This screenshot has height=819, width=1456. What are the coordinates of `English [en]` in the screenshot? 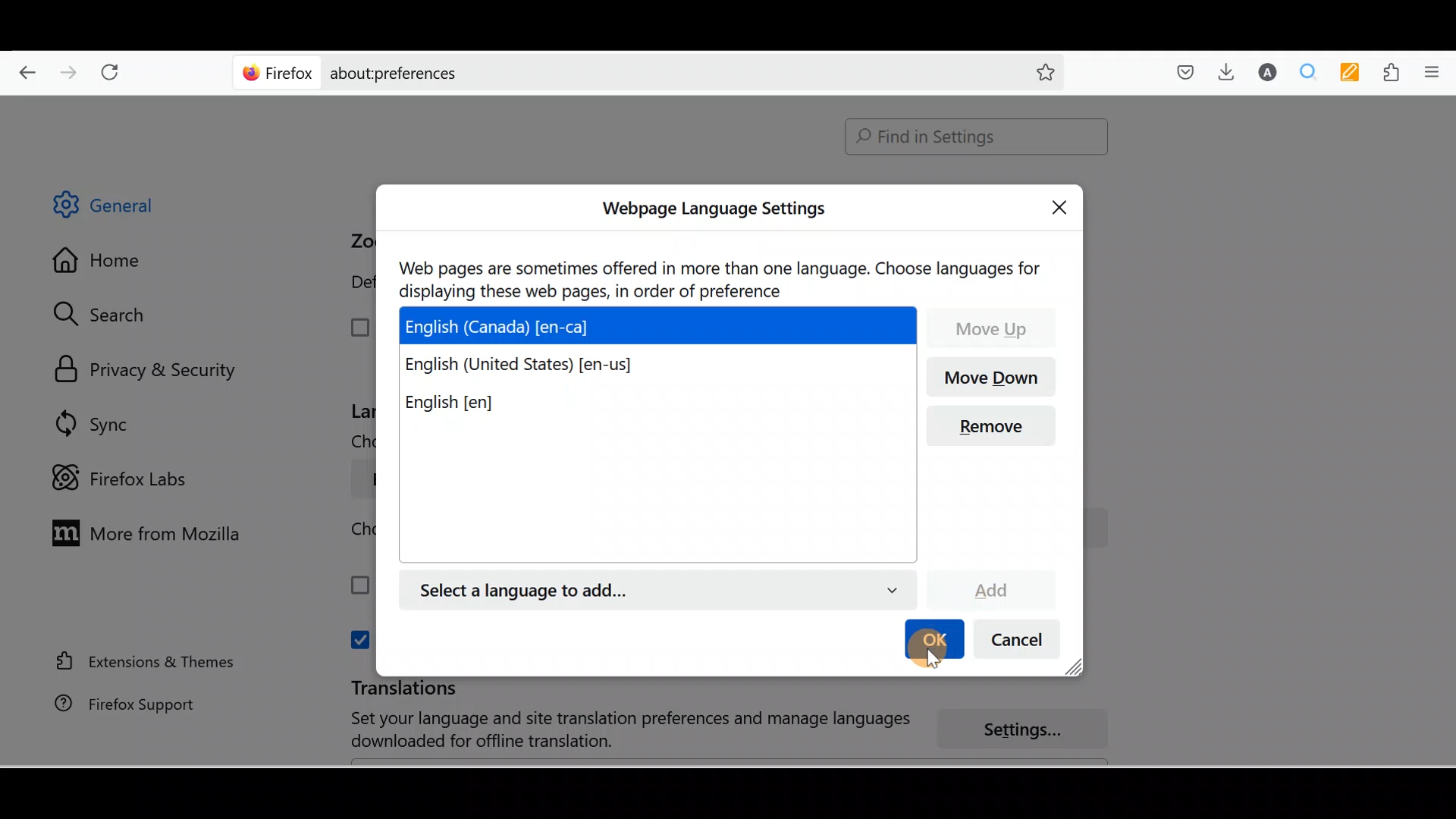 It's located at (460, 409).